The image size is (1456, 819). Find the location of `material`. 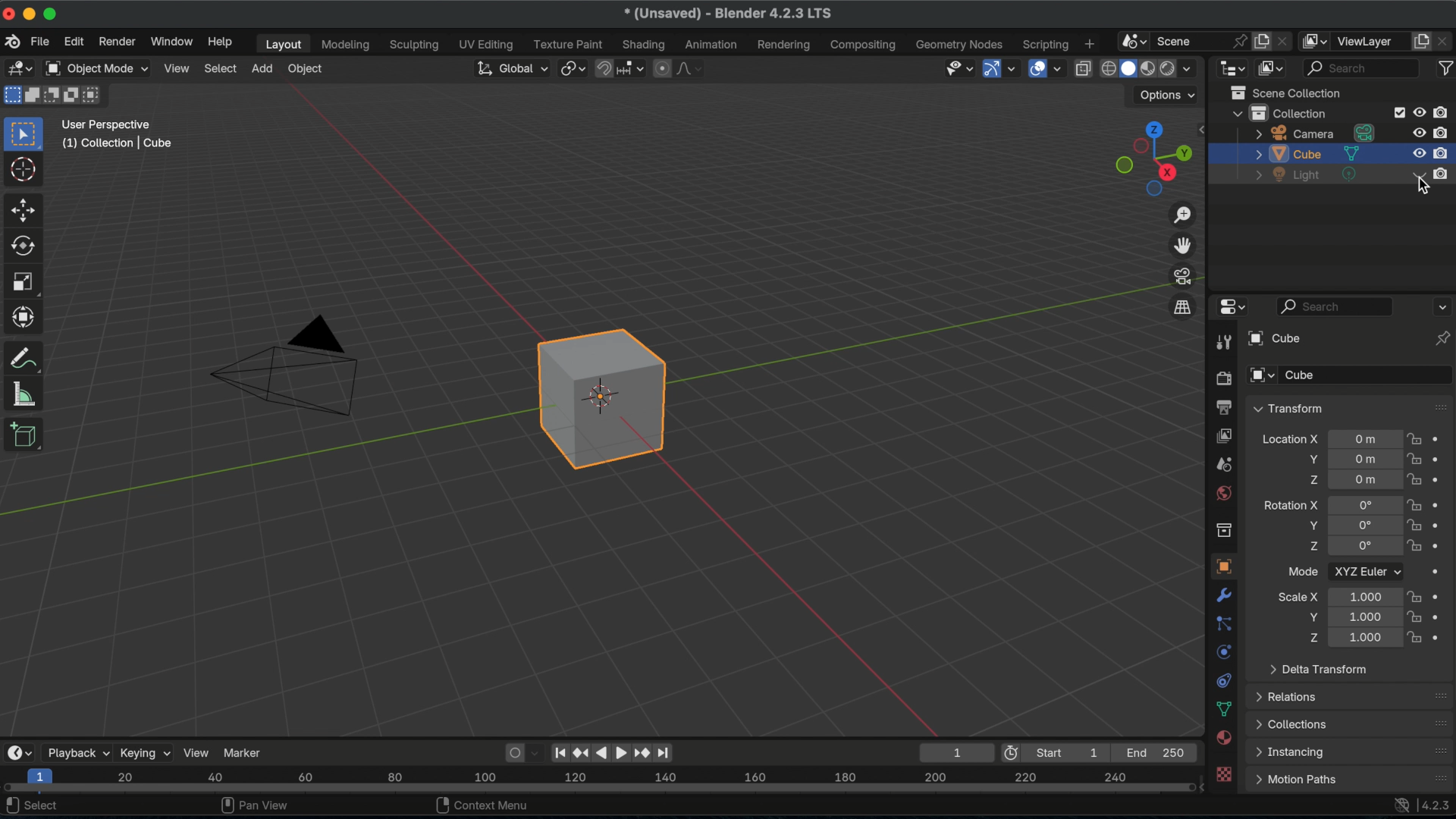

material is located at coordinates (1224, 736).